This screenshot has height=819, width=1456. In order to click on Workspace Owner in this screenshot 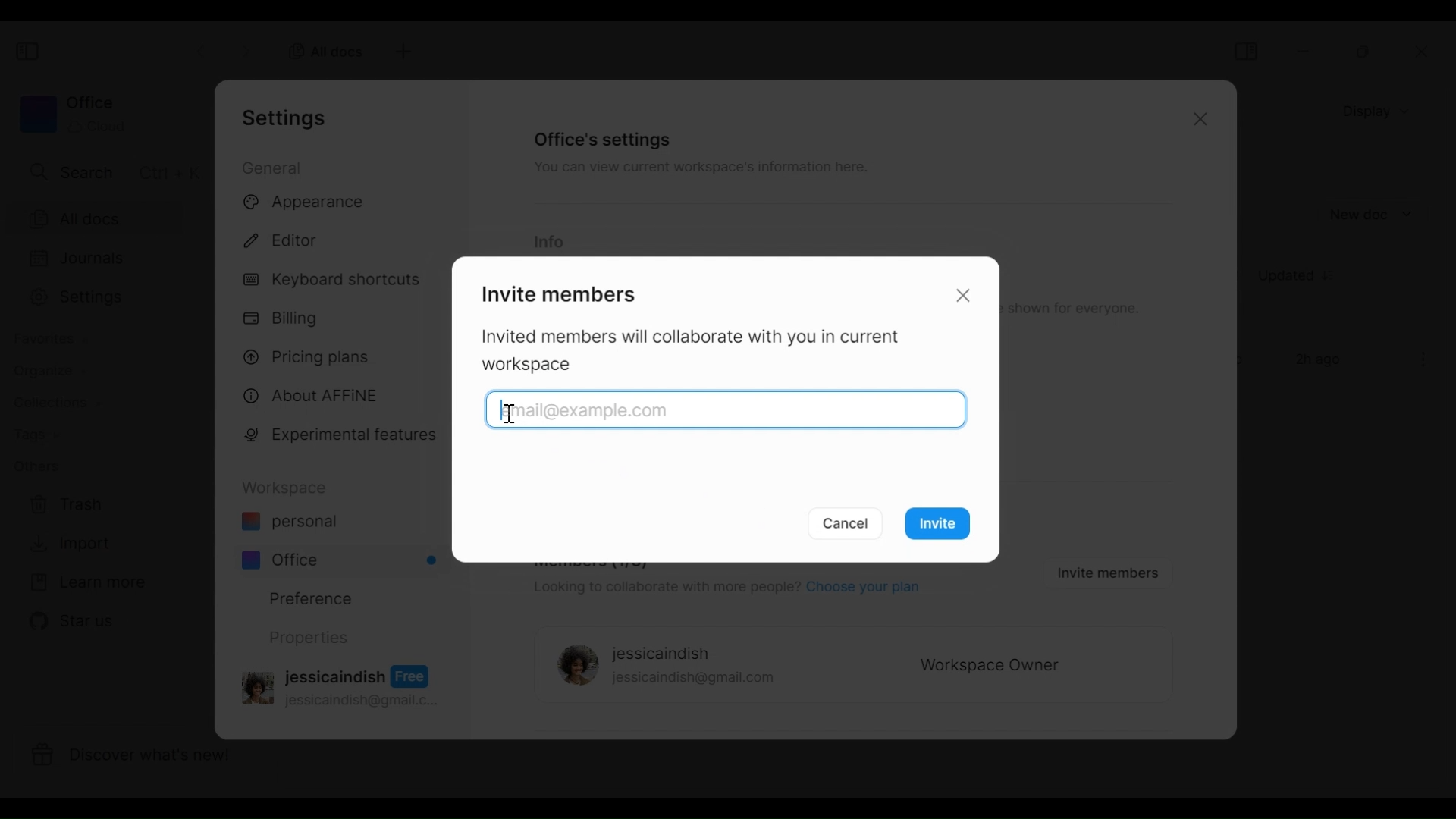, I will do `click(990, 667)`.